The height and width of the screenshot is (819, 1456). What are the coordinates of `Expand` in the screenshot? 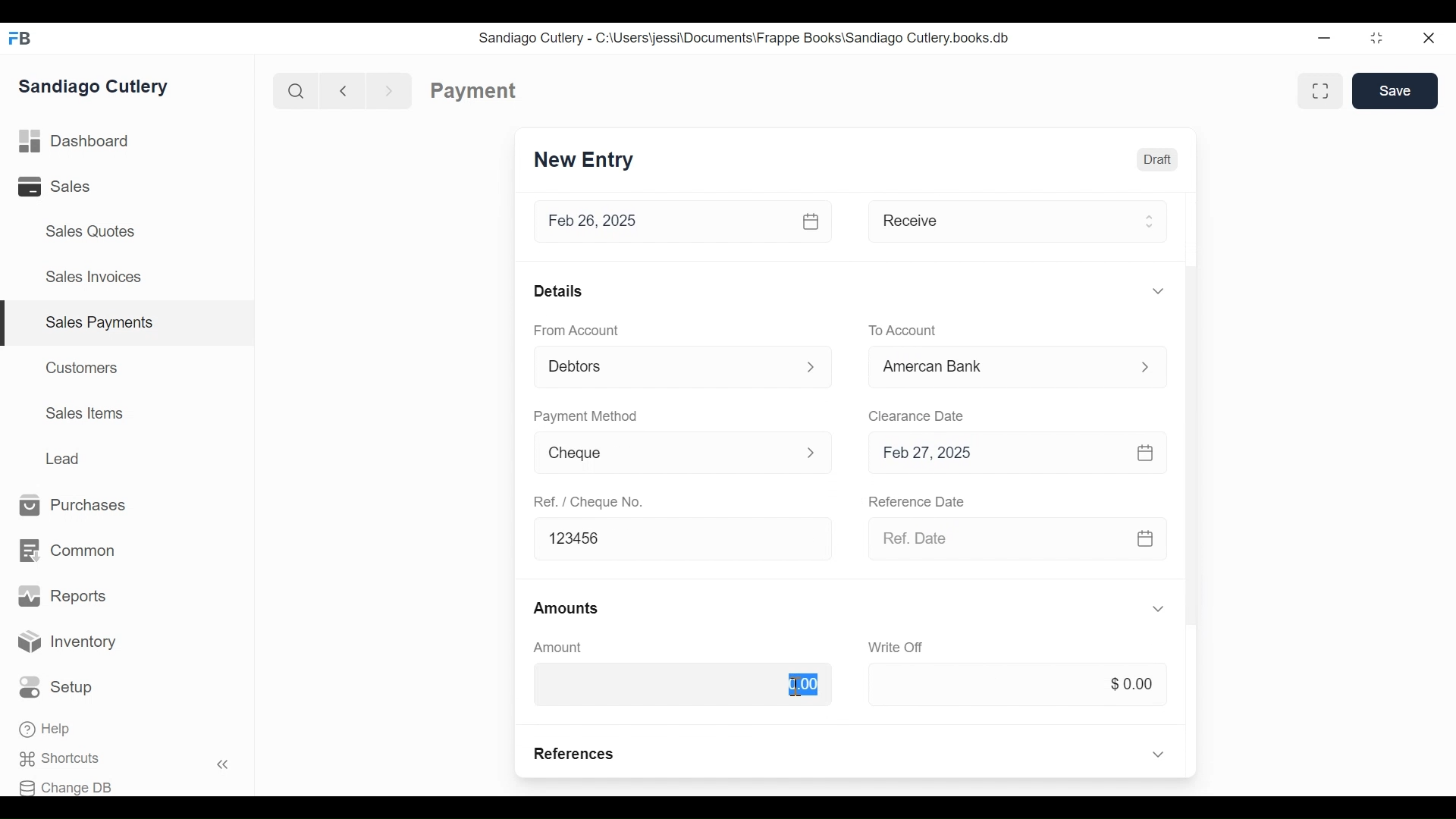 It's located at (1158, 753).